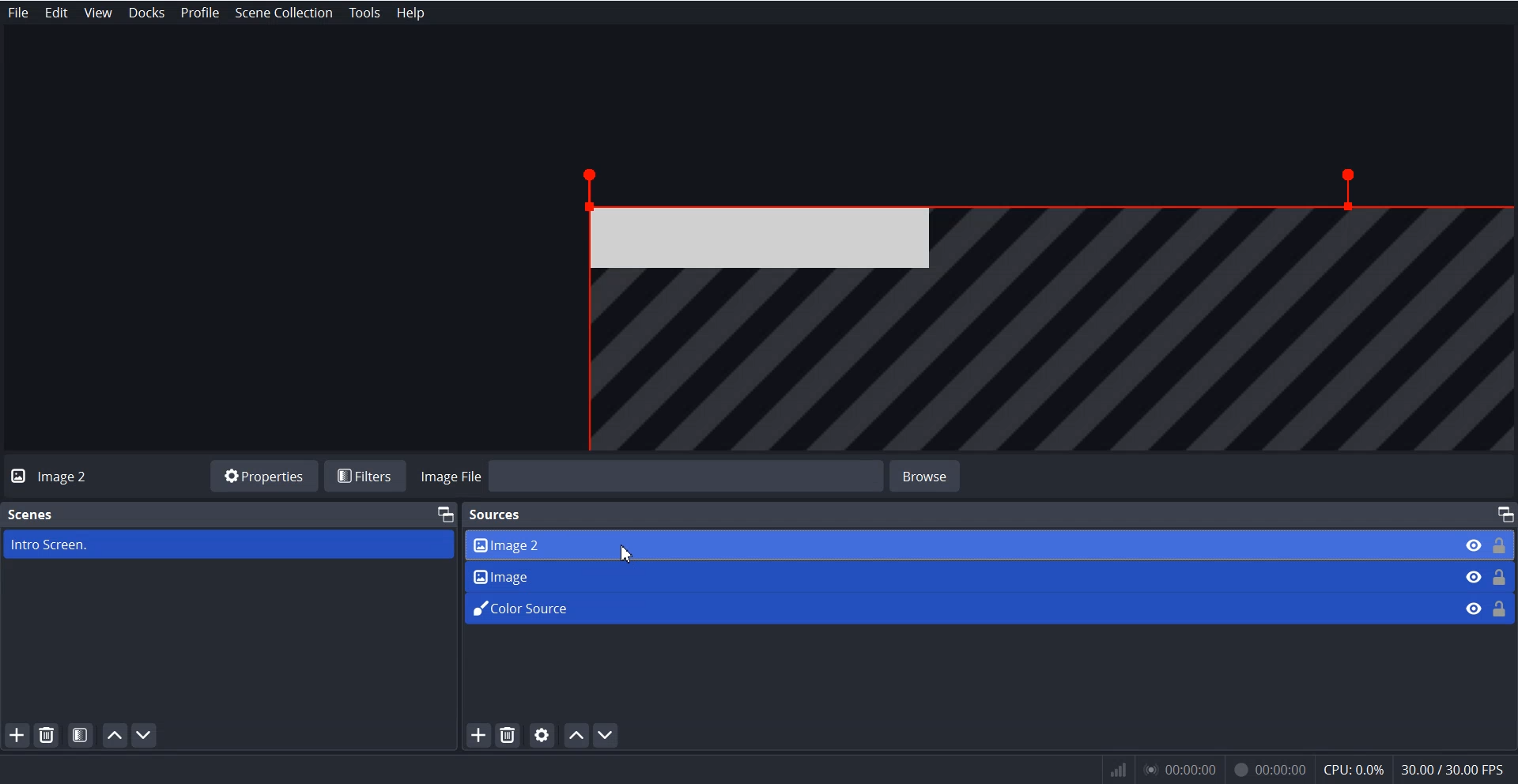  I want to click on Filters, so click(368, 476).